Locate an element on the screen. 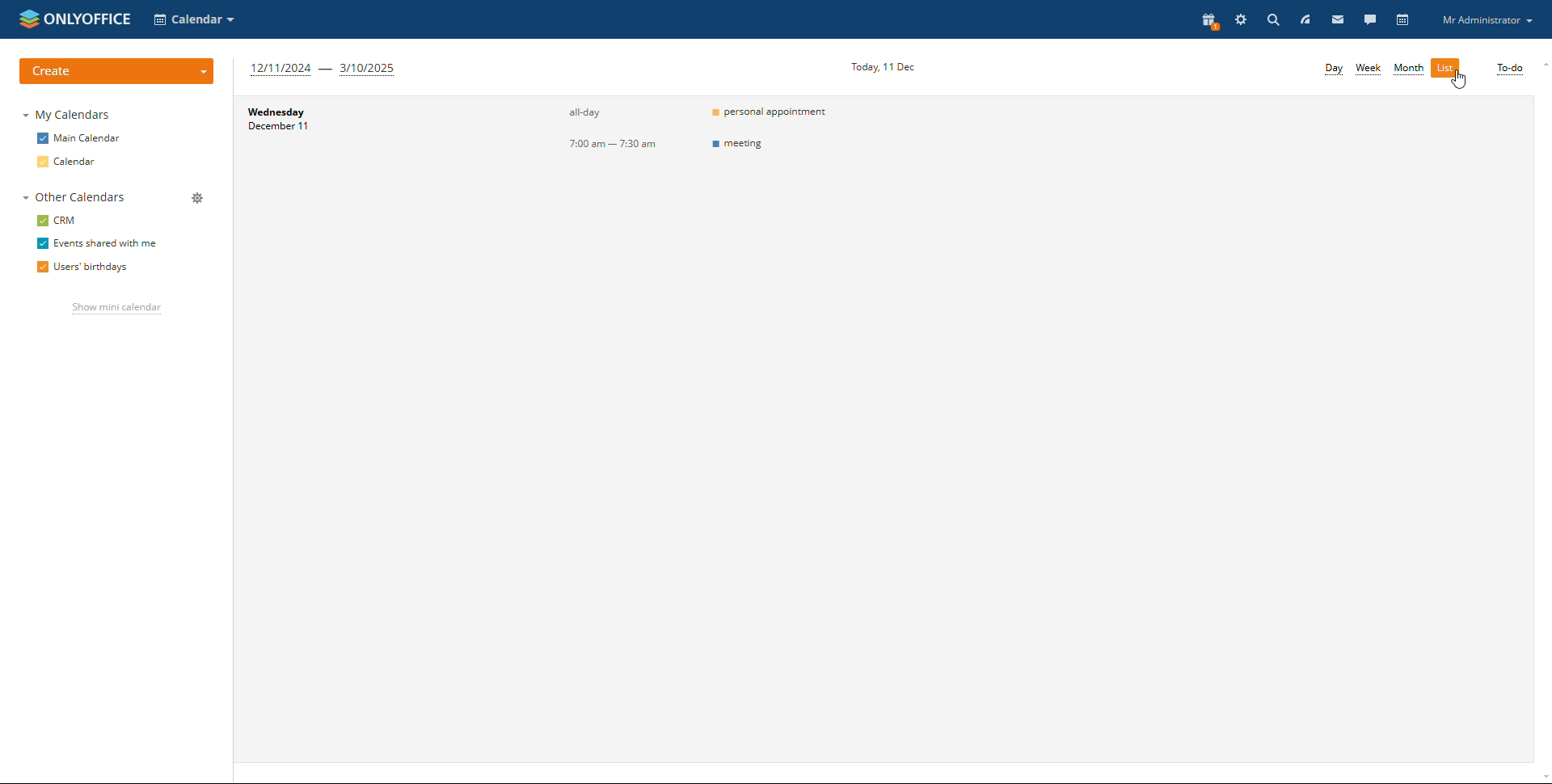 This screenshot has width=1552, height=784. present is located at coordinates (1208, 20).